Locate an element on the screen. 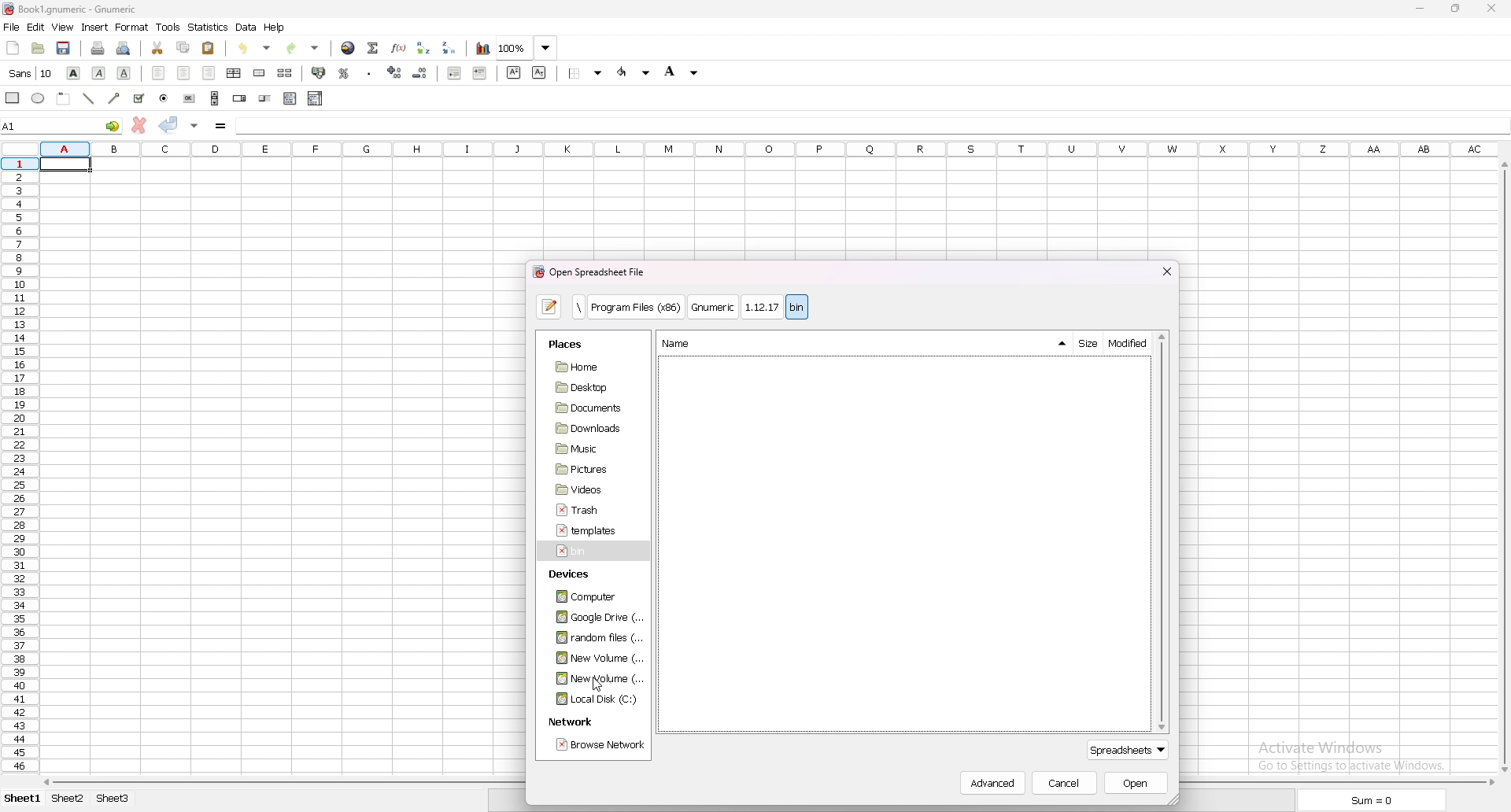  view is located at coordinates (61, 27).